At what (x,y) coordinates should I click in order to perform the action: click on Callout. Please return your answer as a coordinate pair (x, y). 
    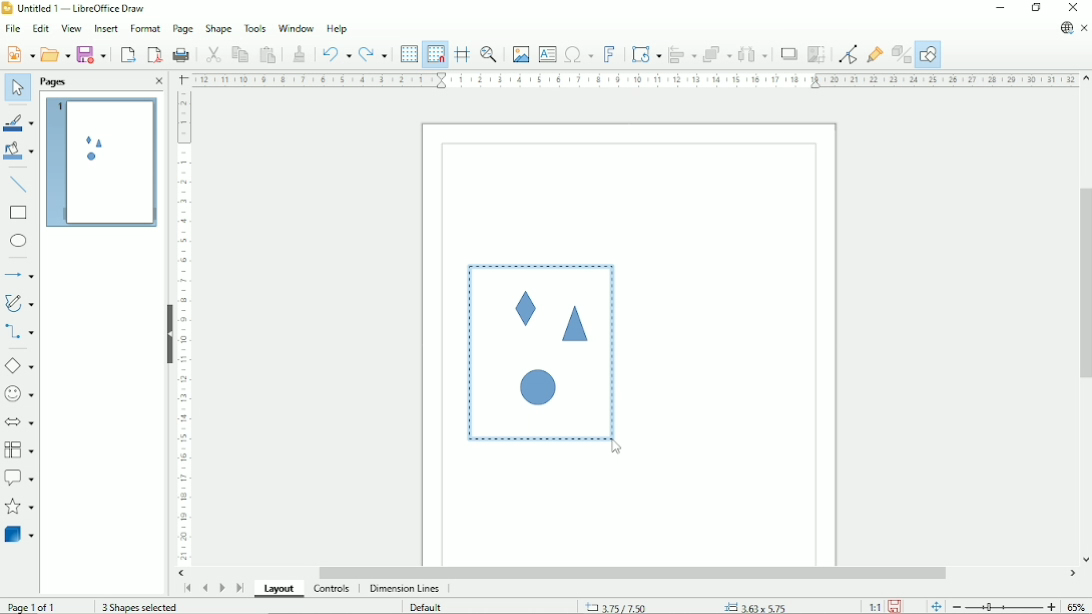
    Looking at the image, I should click on (19, 478).